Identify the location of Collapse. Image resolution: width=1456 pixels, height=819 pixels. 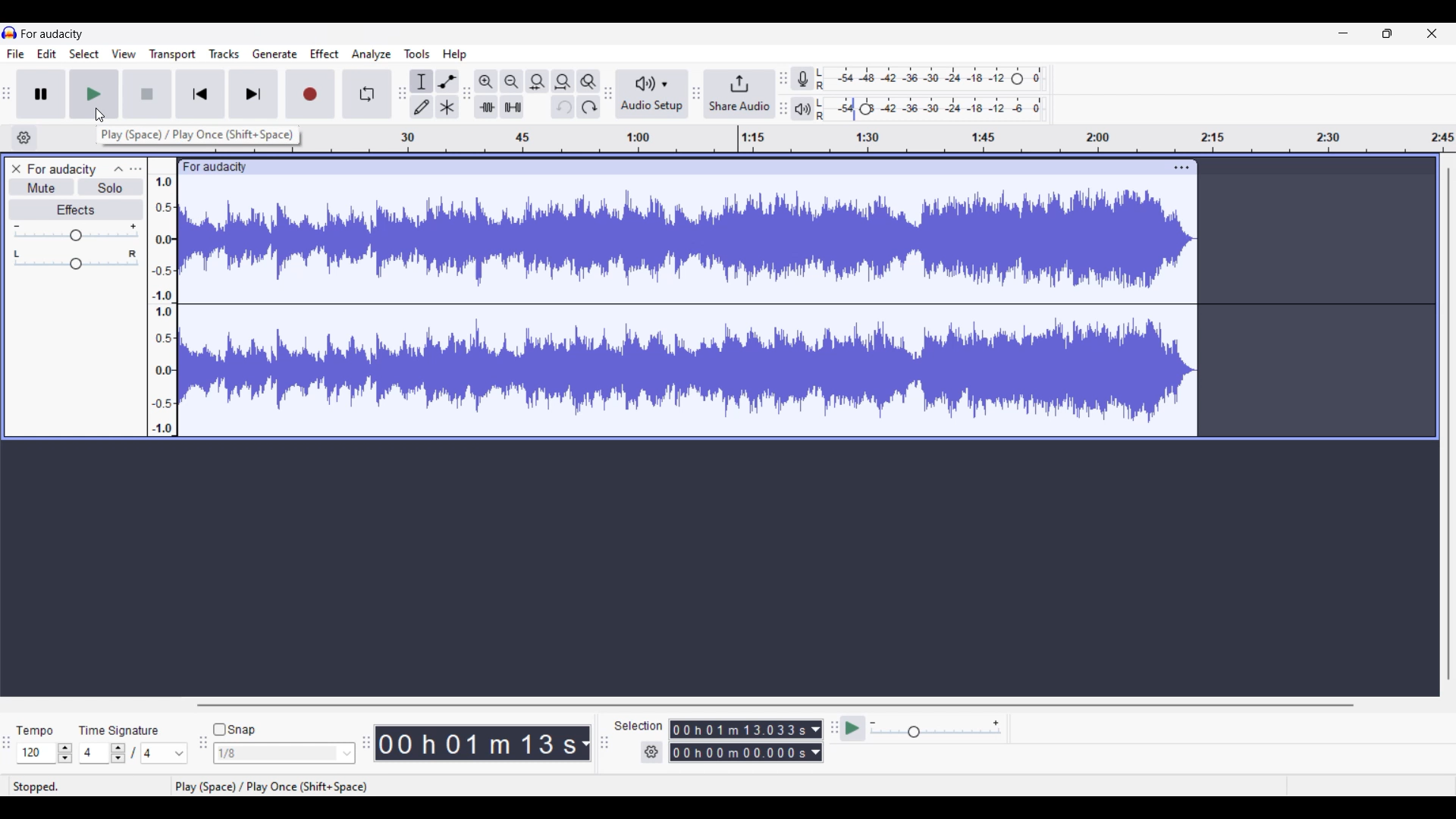
(119, 168).